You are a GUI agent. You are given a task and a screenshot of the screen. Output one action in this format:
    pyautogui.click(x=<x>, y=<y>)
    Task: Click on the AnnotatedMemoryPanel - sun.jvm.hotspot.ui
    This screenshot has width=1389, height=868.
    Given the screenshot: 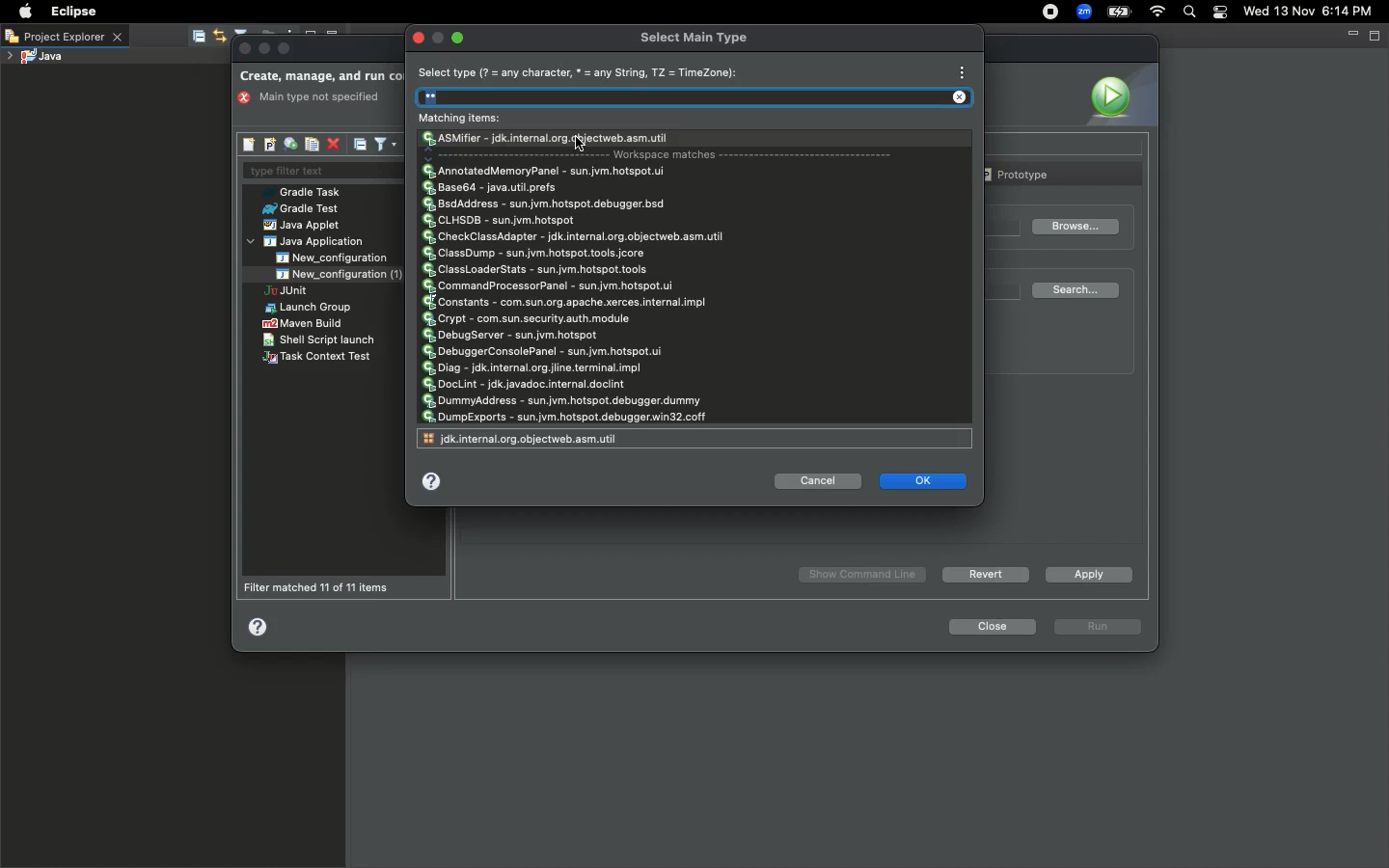 What is the action you would take?
    pyautogui.click(x=544, y=170)
    